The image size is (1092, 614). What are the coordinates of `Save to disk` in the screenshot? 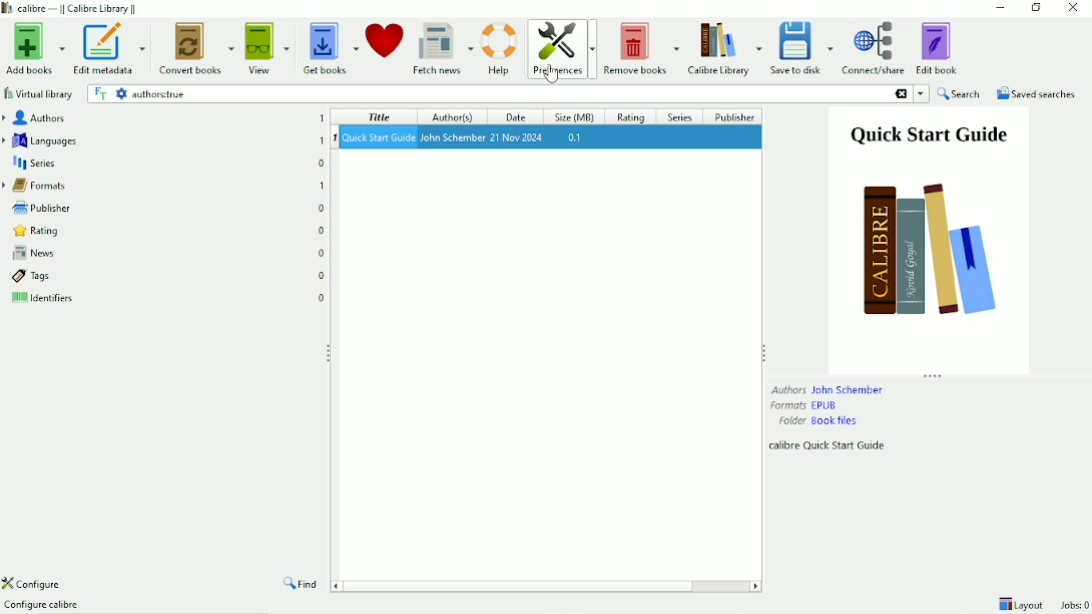 It's located at (801, 49).